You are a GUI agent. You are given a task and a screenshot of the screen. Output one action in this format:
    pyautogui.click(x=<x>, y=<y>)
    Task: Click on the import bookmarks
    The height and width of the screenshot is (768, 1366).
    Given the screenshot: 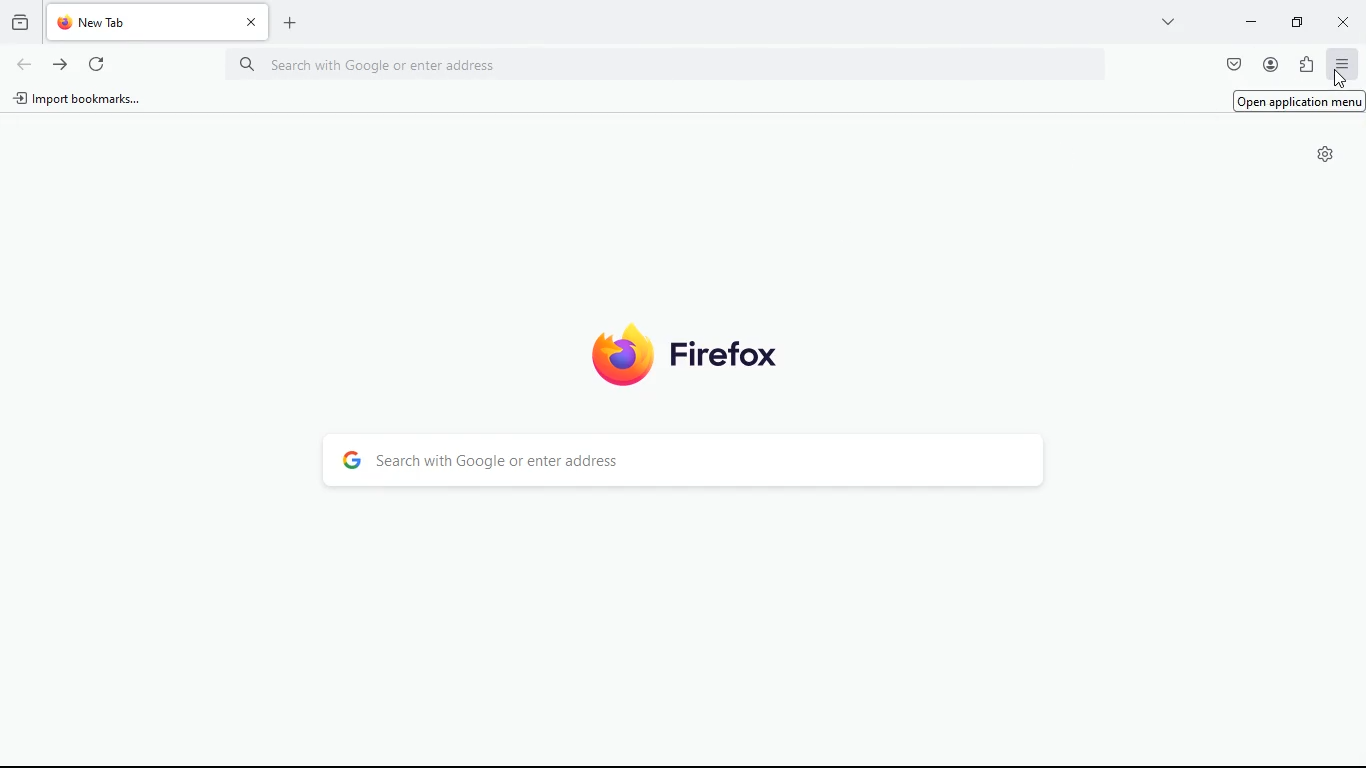 What is the action you would take?
    pyautogui.click(x=79, y=100)
    